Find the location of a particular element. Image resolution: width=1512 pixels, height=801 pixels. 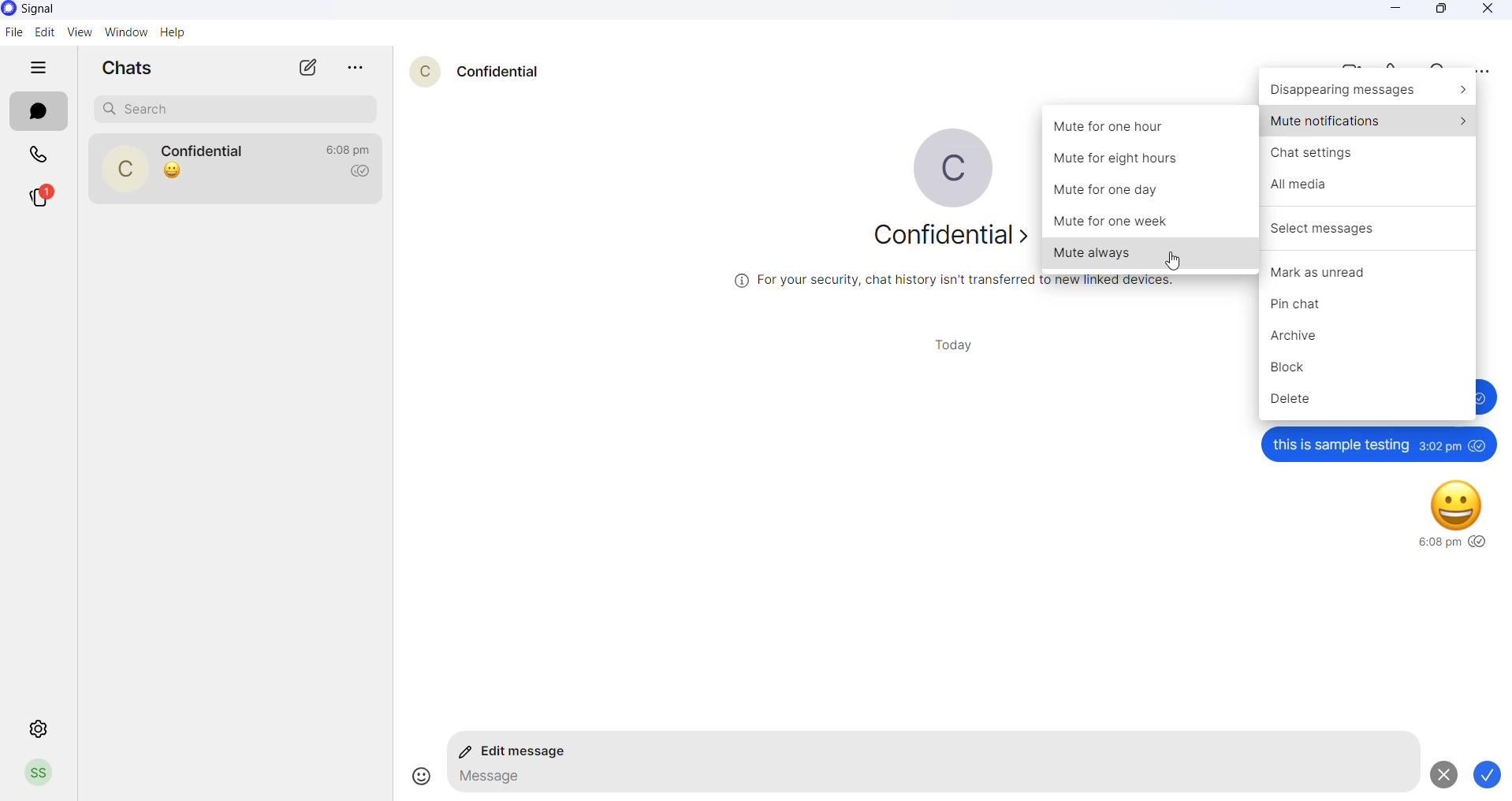

block is located at coordinates (1369, 370).